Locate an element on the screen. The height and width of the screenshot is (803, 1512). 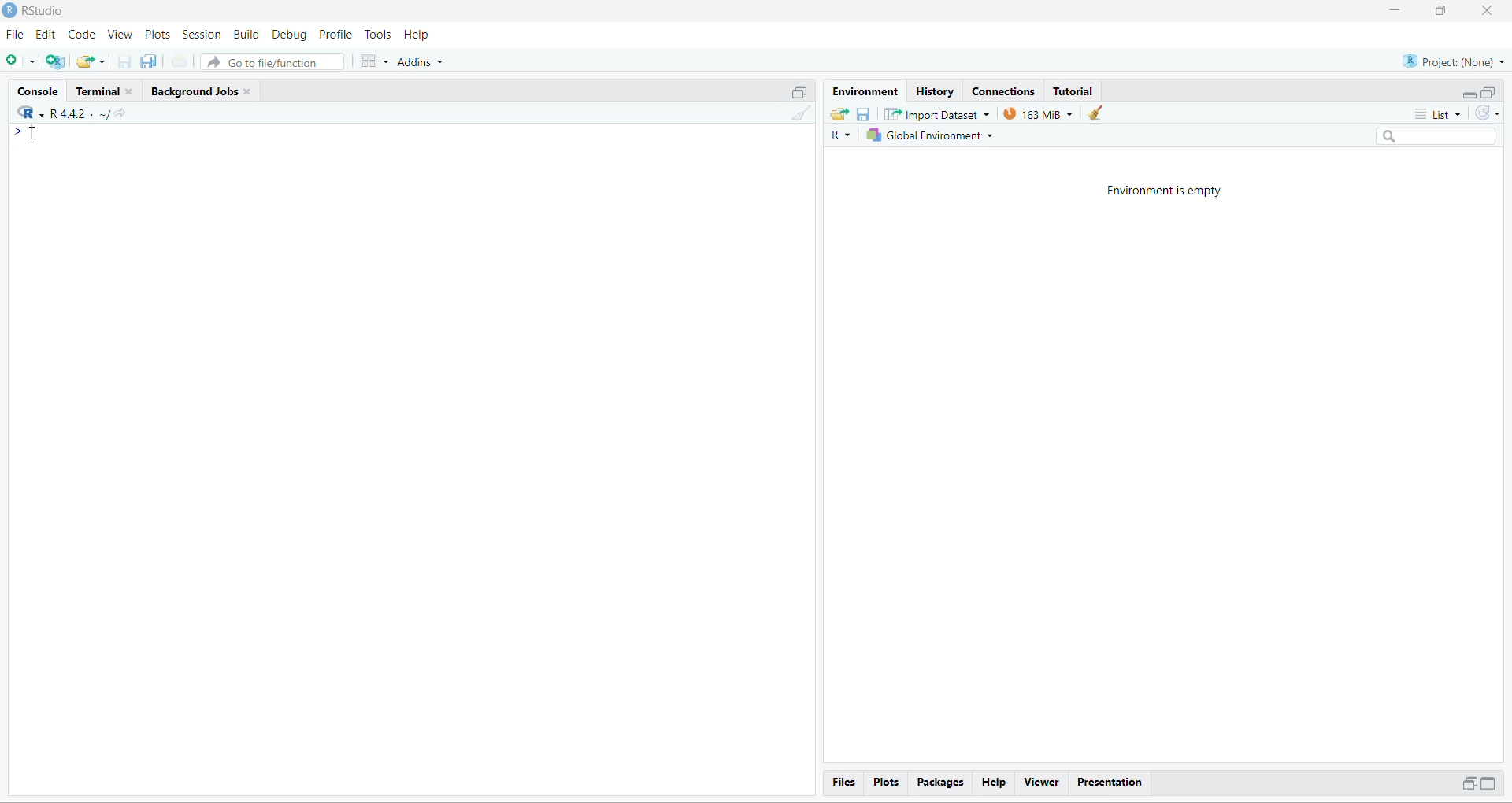
clear is located at coordinates (1098, 113).